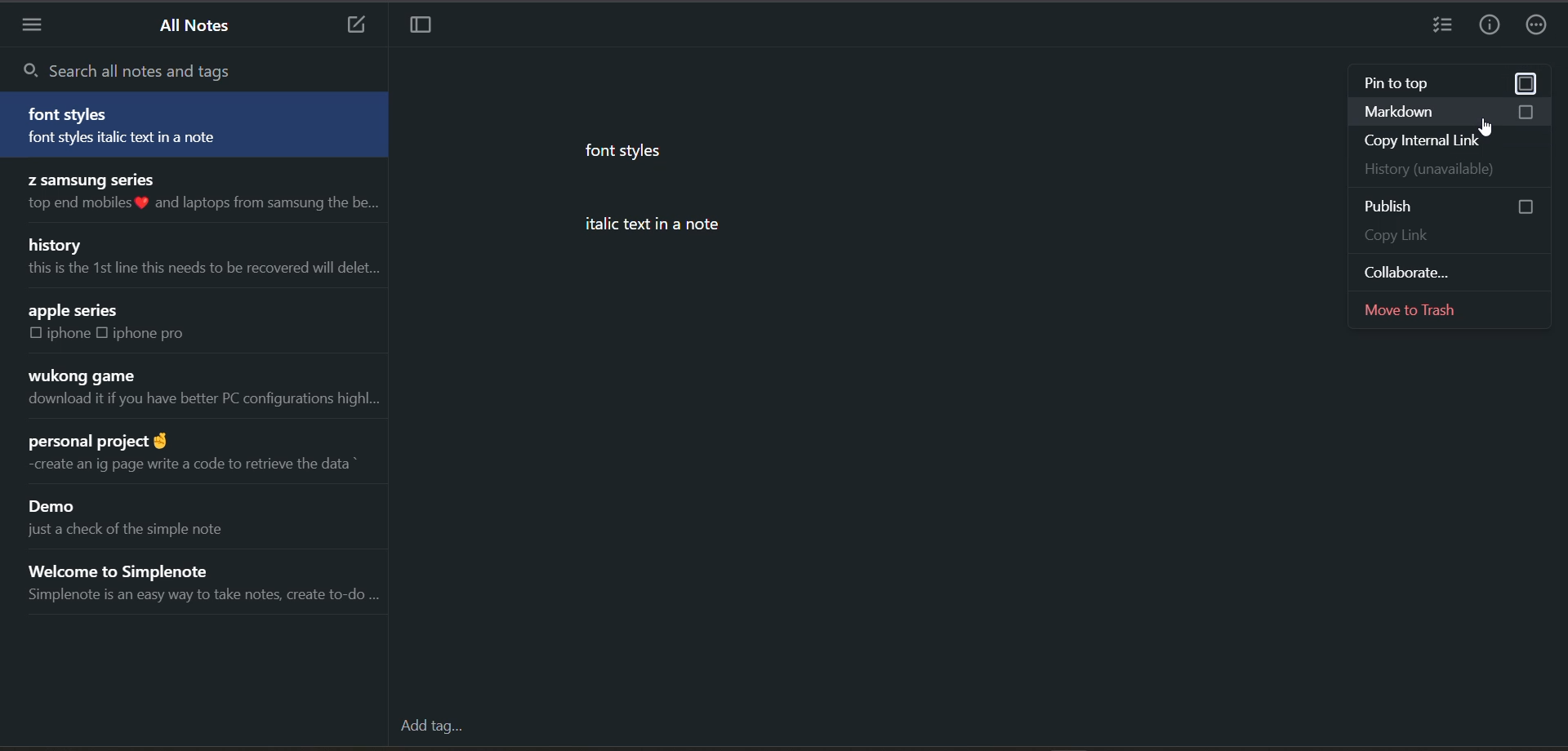 Image resolution: width=1568 pixels, height=751 pixels. I want to click on pin to top, so click(1446, 84).